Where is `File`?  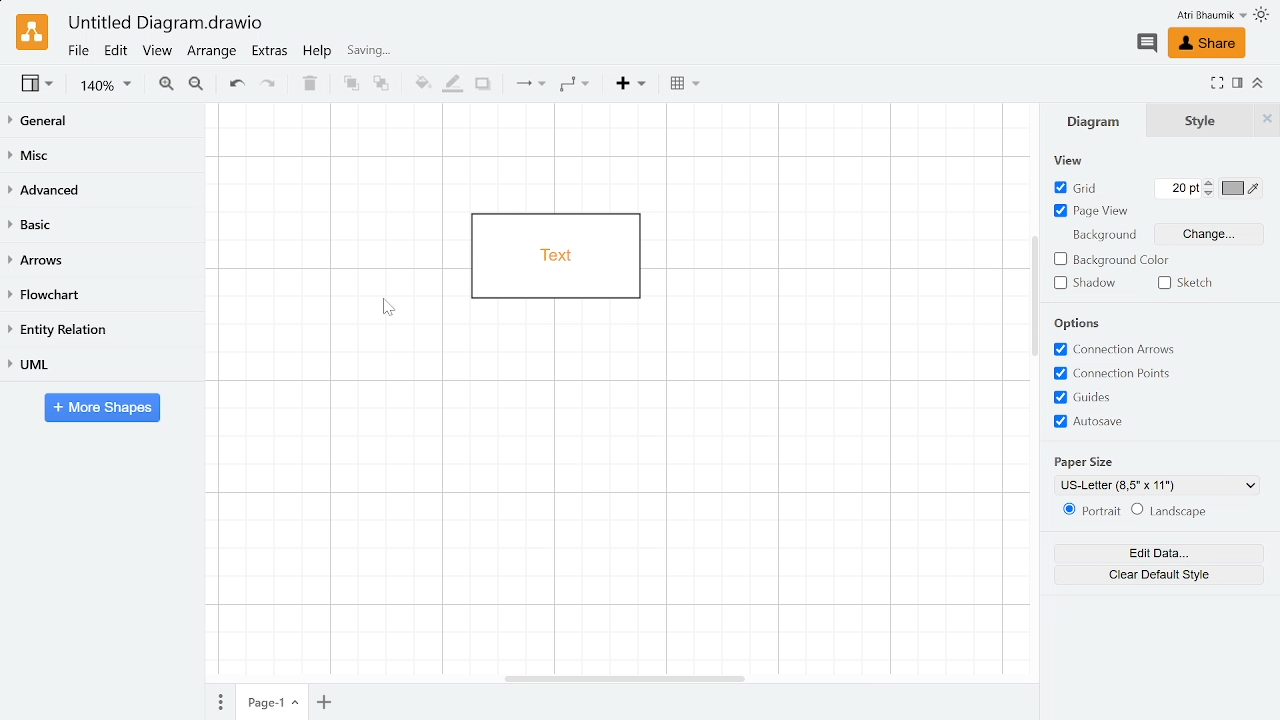 File is located at coordinates (77, 50).